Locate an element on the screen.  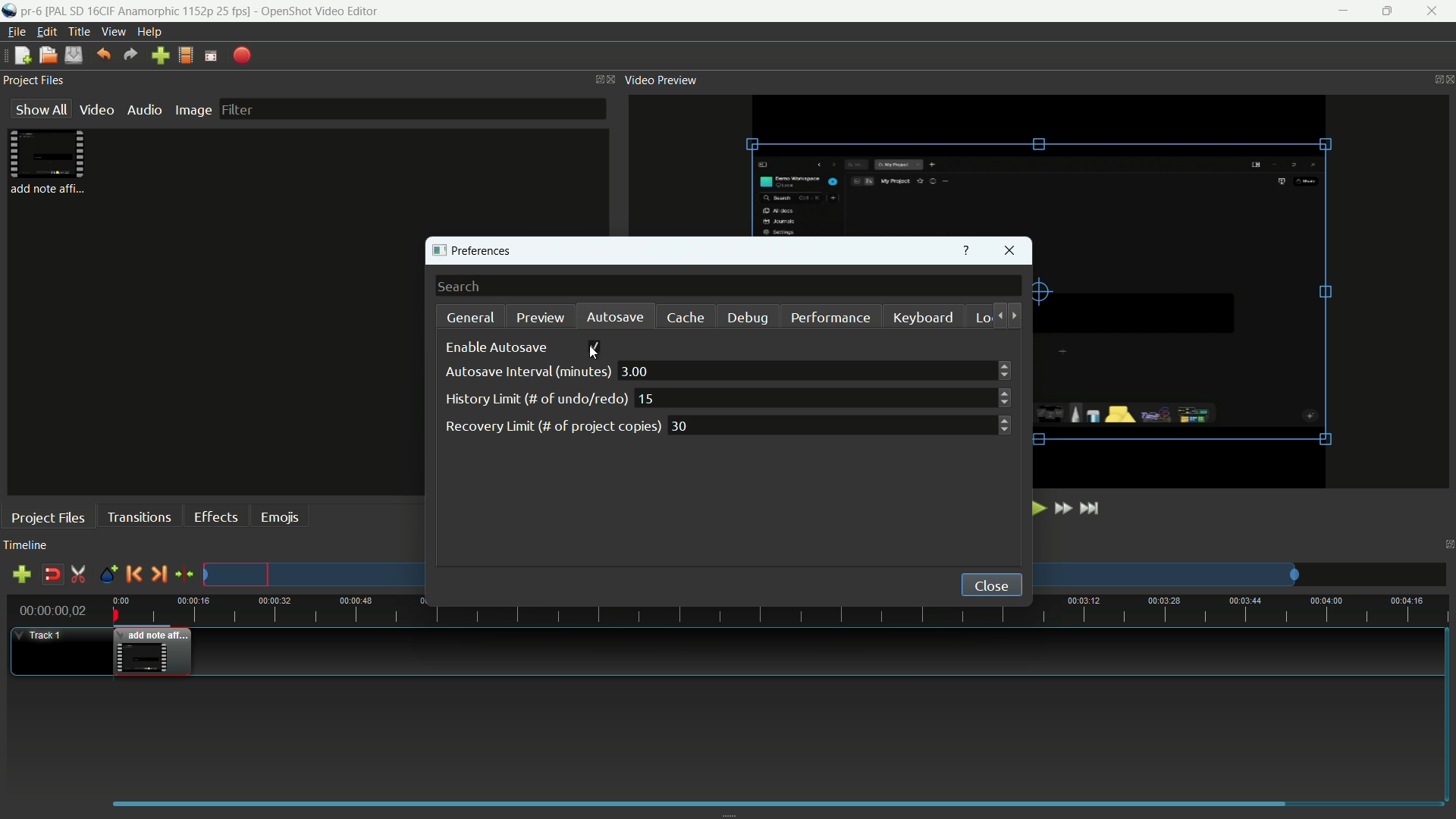
effects is located at coordinates (216, 516).